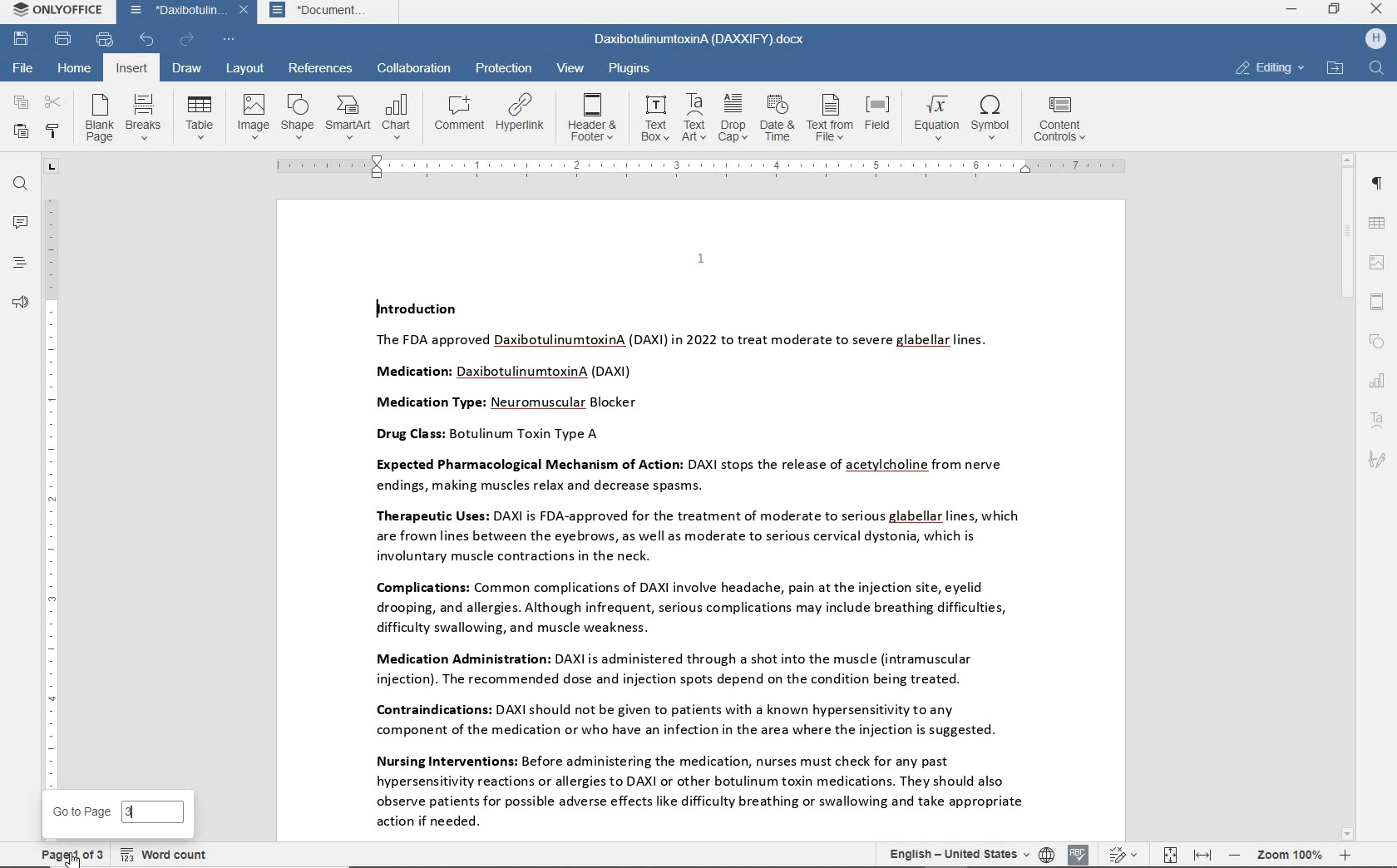 The image size is (1397, 868). What do you see at coordinates (230, 40) in the screenshot?
I see `customize quick access toolbar` at bounding box center [230, 40].